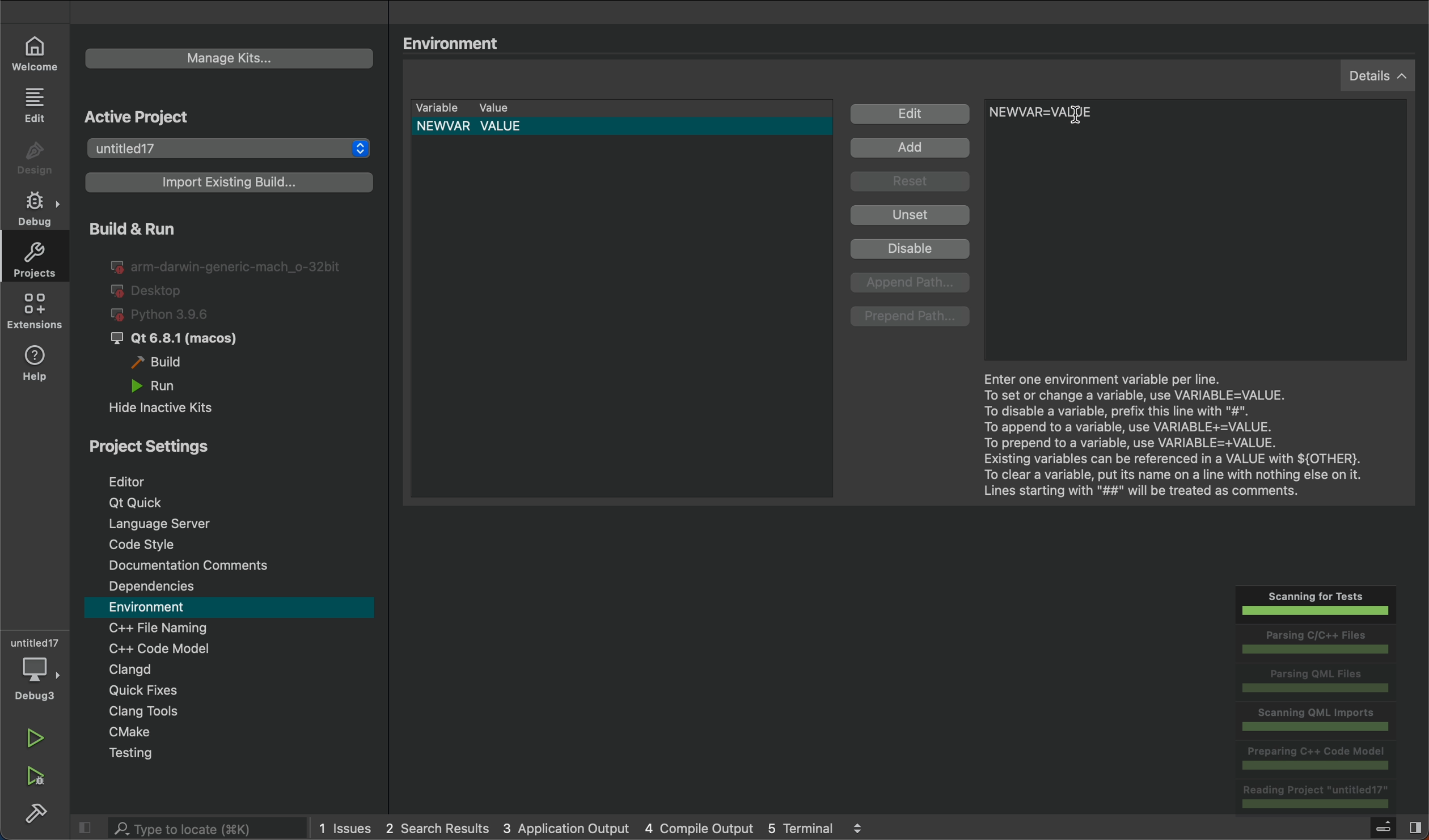  Describe the element at coordinates (236, 754) in the screenshot. I see `testing` at that location.